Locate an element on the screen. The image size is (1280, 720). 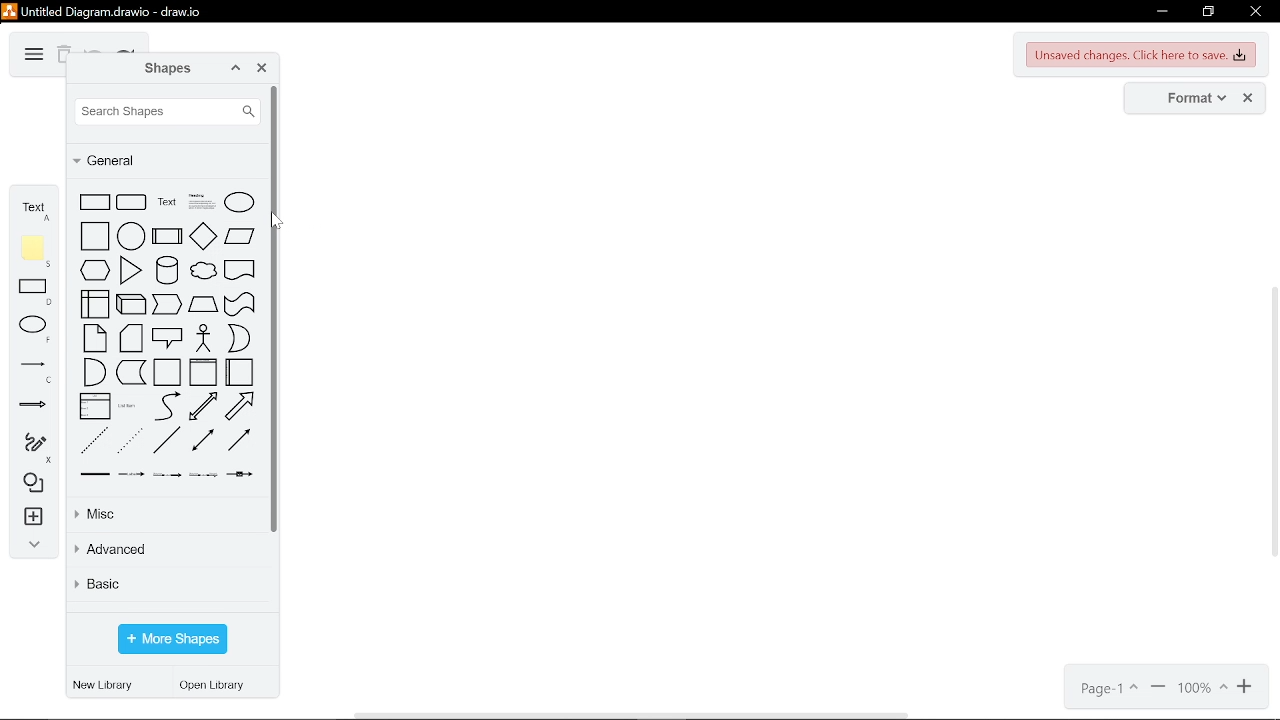
arrows is located at coordinates (33, 408).